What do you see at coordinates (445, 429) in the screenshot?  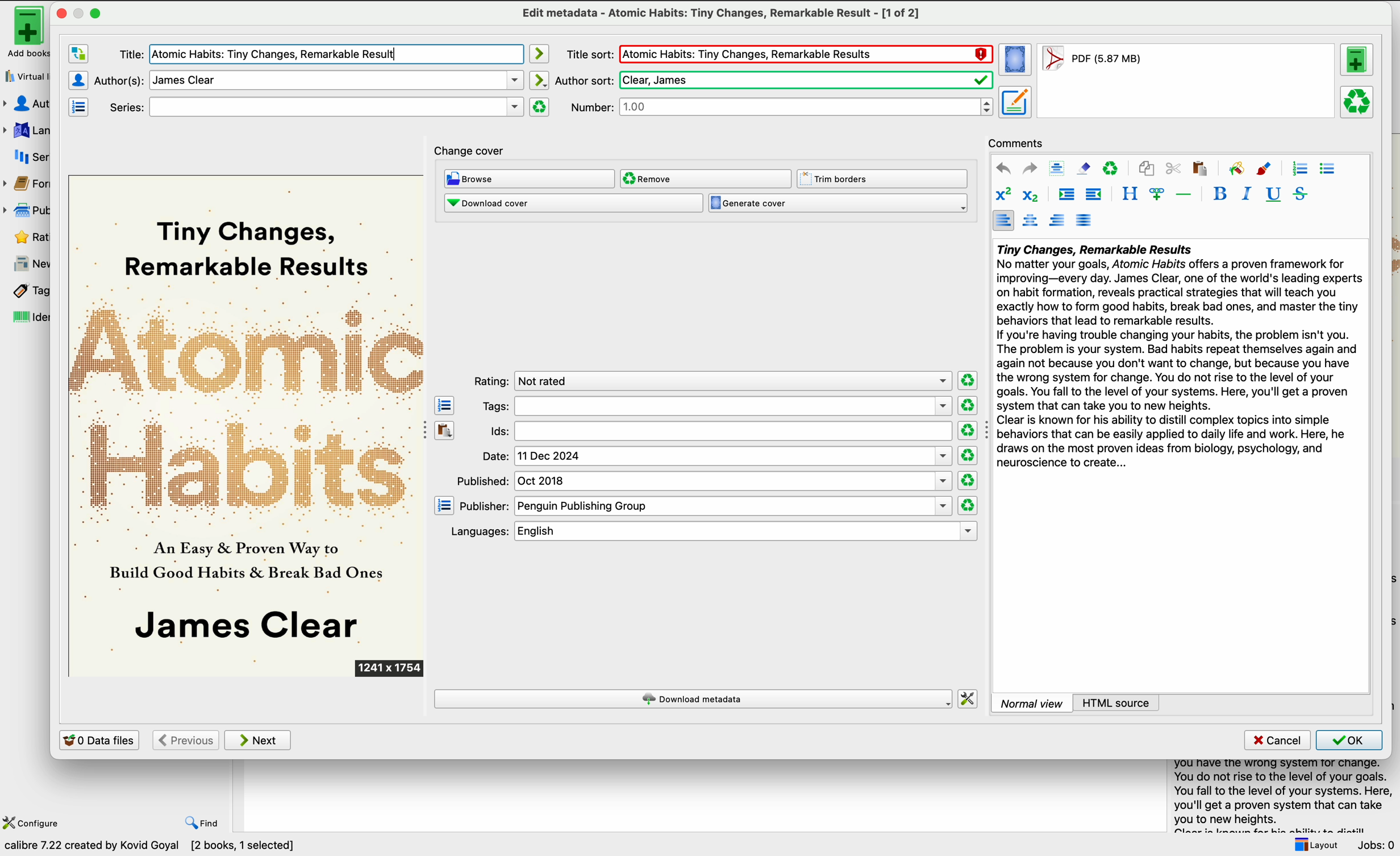 I see `paste the contents of the clipboard` at bounding box center [445, 429].